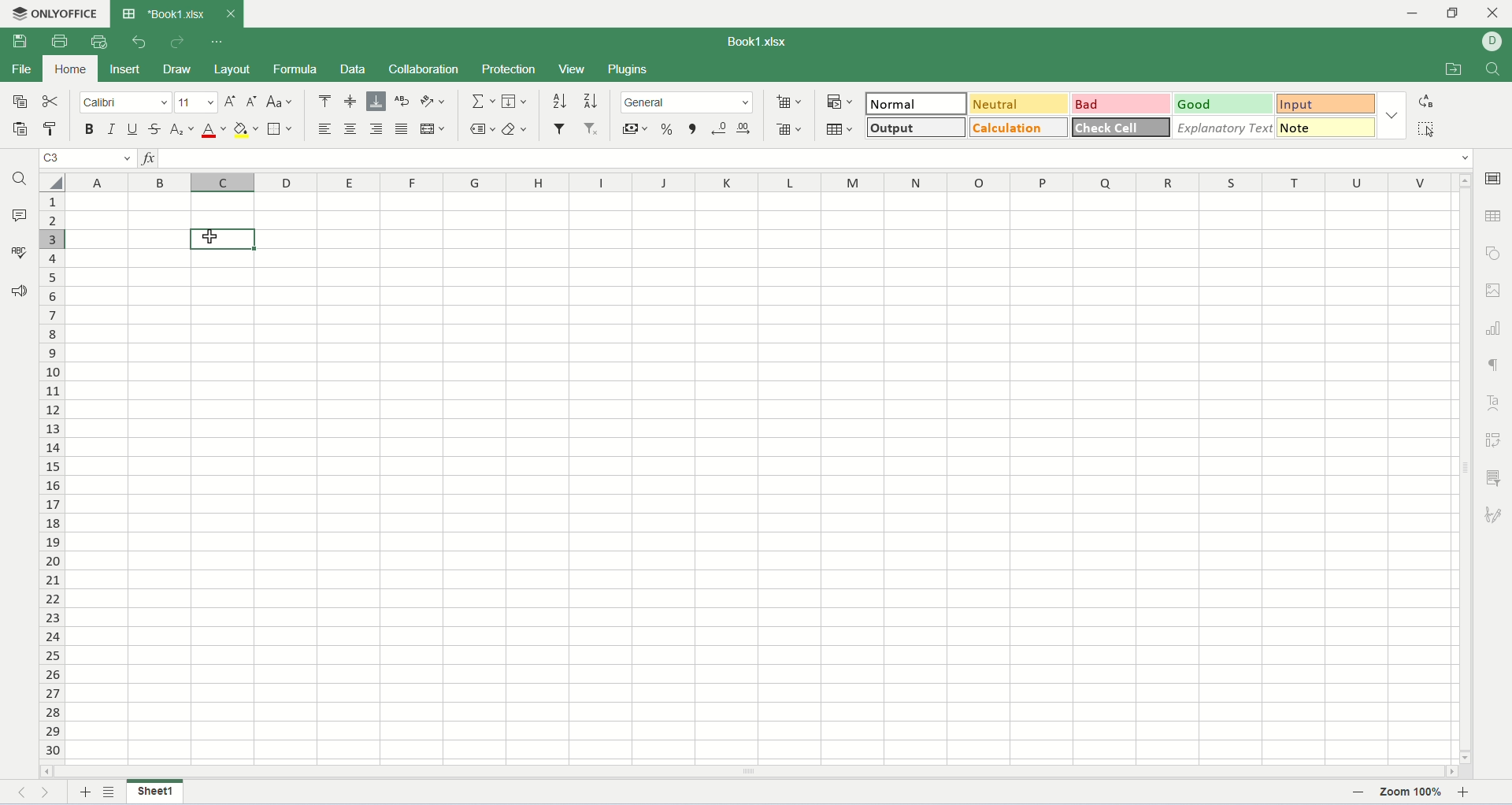 The width and height of the screenshot is (1512, 805). I want to click on note, so click(1327, 128).